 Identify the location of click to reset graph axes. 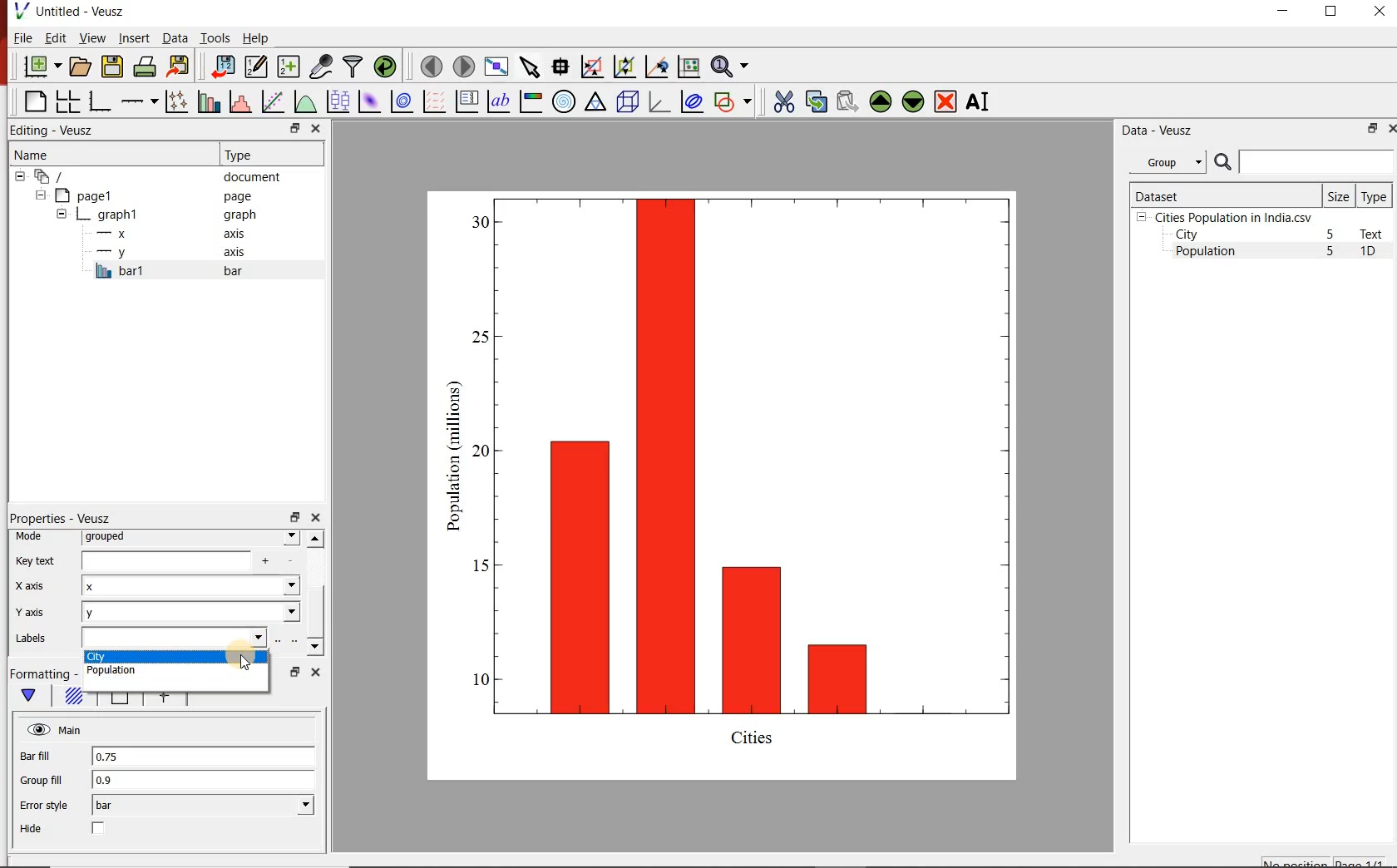
(689, 66).